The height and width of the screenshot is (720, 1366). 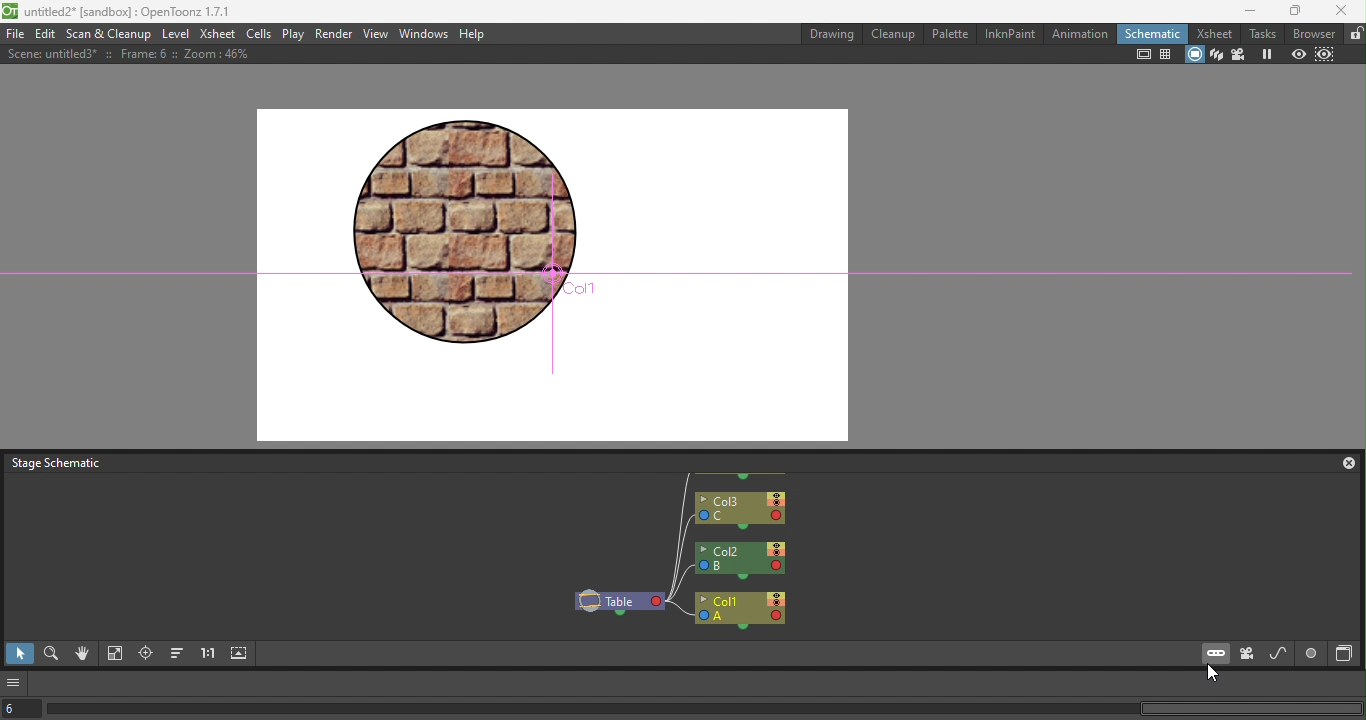 What do you see at coordinates (58, 462) in the screenshot?
I see `Stage schematic` at bounding box center [58, 462].